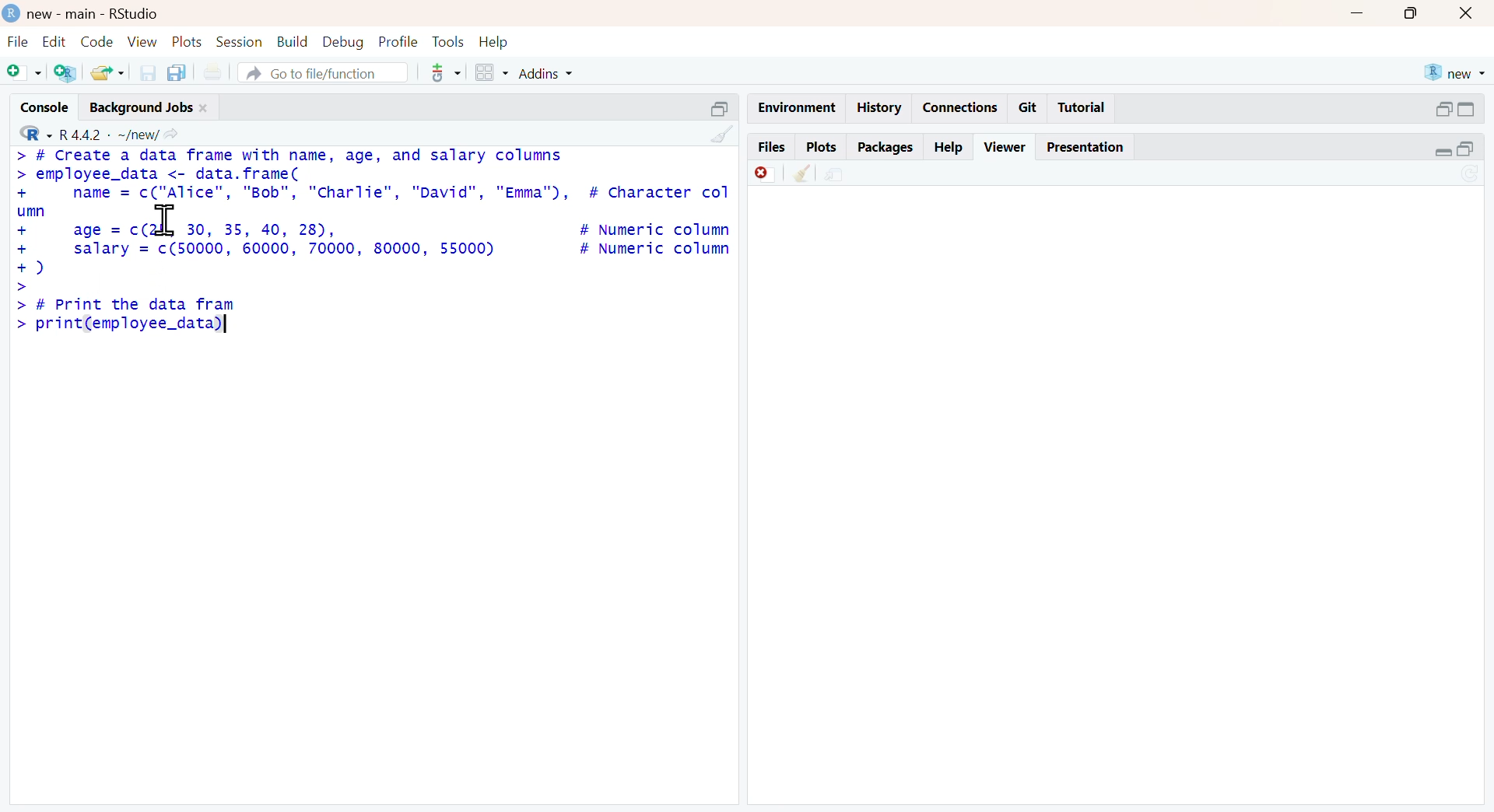 This screenshot has width=1494, height=812. Describe the element at coordinates (343, 42) in the screenshot. I see `Debug` at that location.